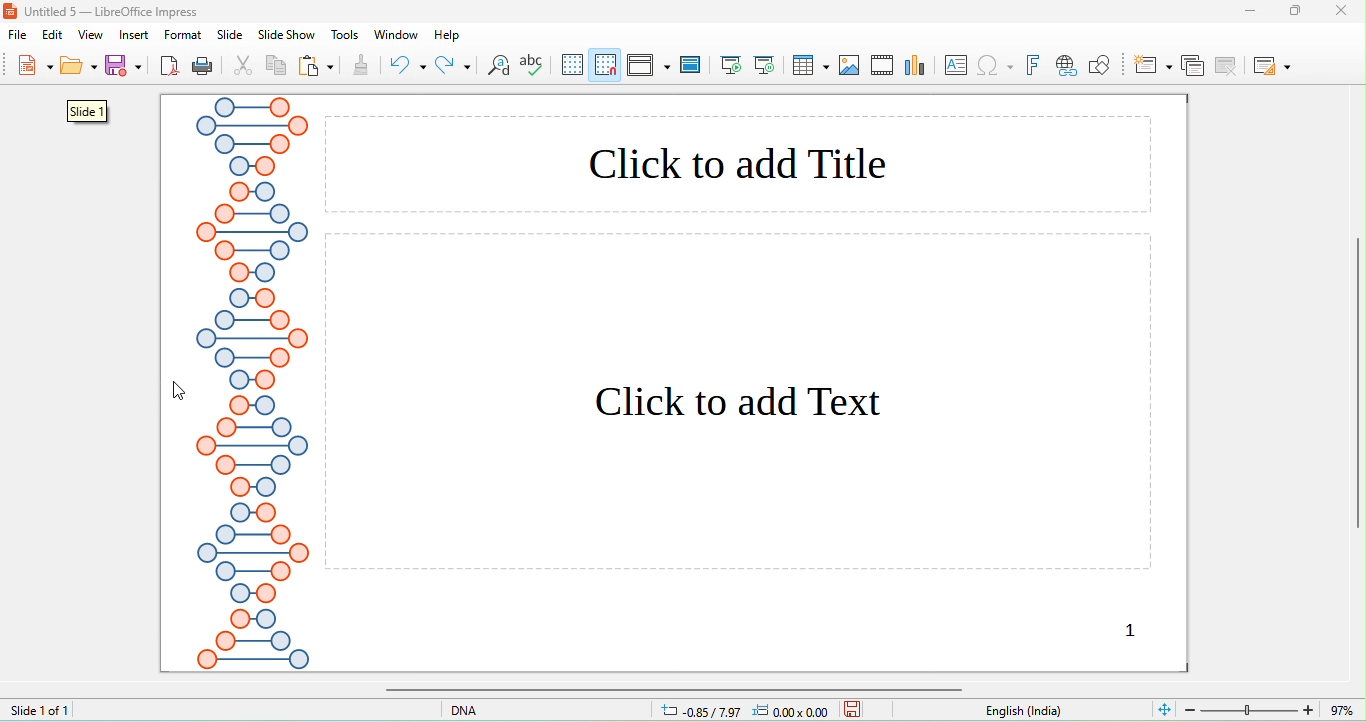 This screenshot has width=1366, height=722. I want to click on DNA theme, so click(252, 383).